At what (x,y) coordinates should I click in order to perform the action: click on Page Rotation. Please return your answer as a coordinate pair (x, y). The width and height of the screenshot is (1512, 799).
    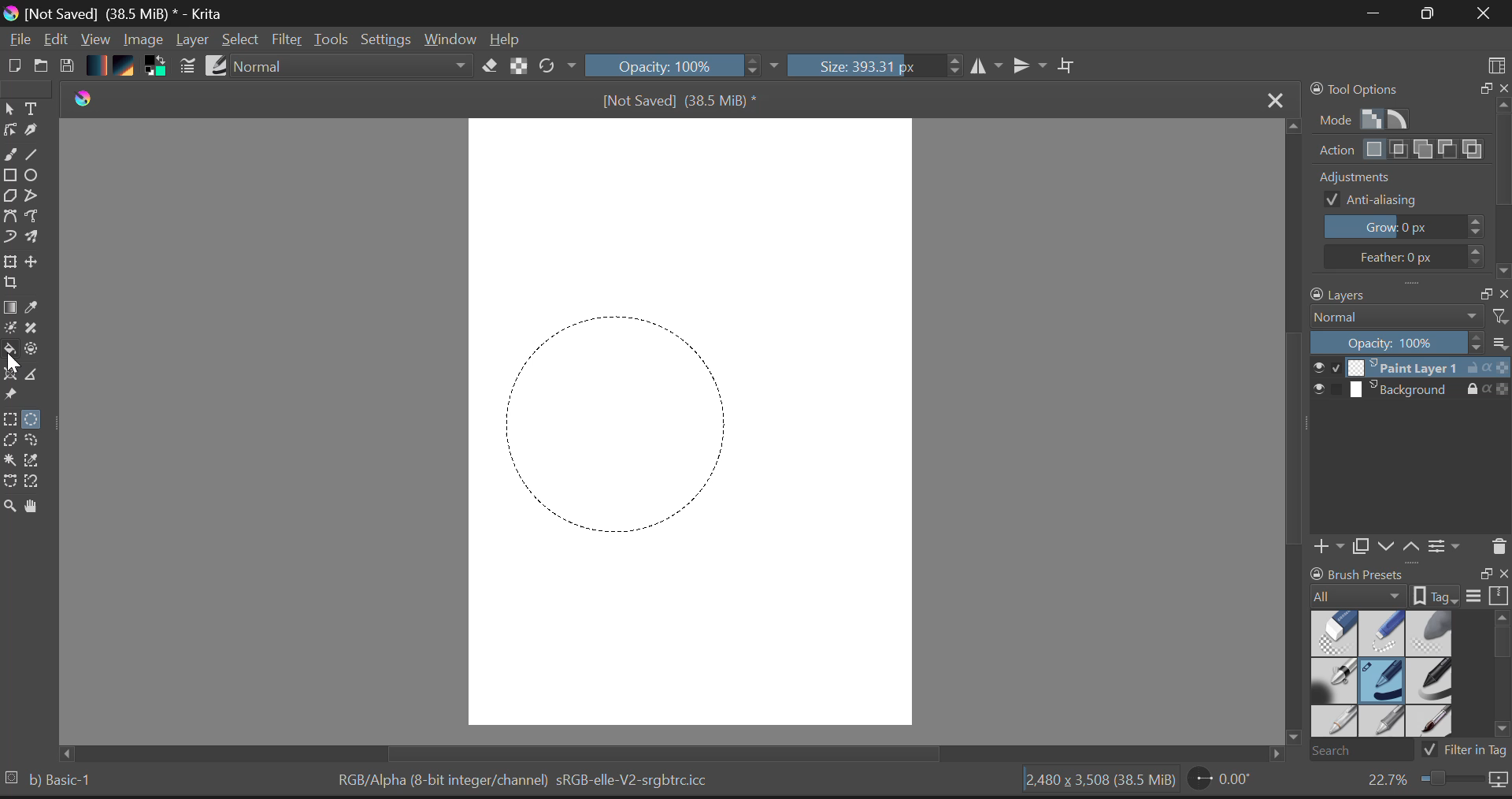
    Looking at the image, I should click on (1221, 782).